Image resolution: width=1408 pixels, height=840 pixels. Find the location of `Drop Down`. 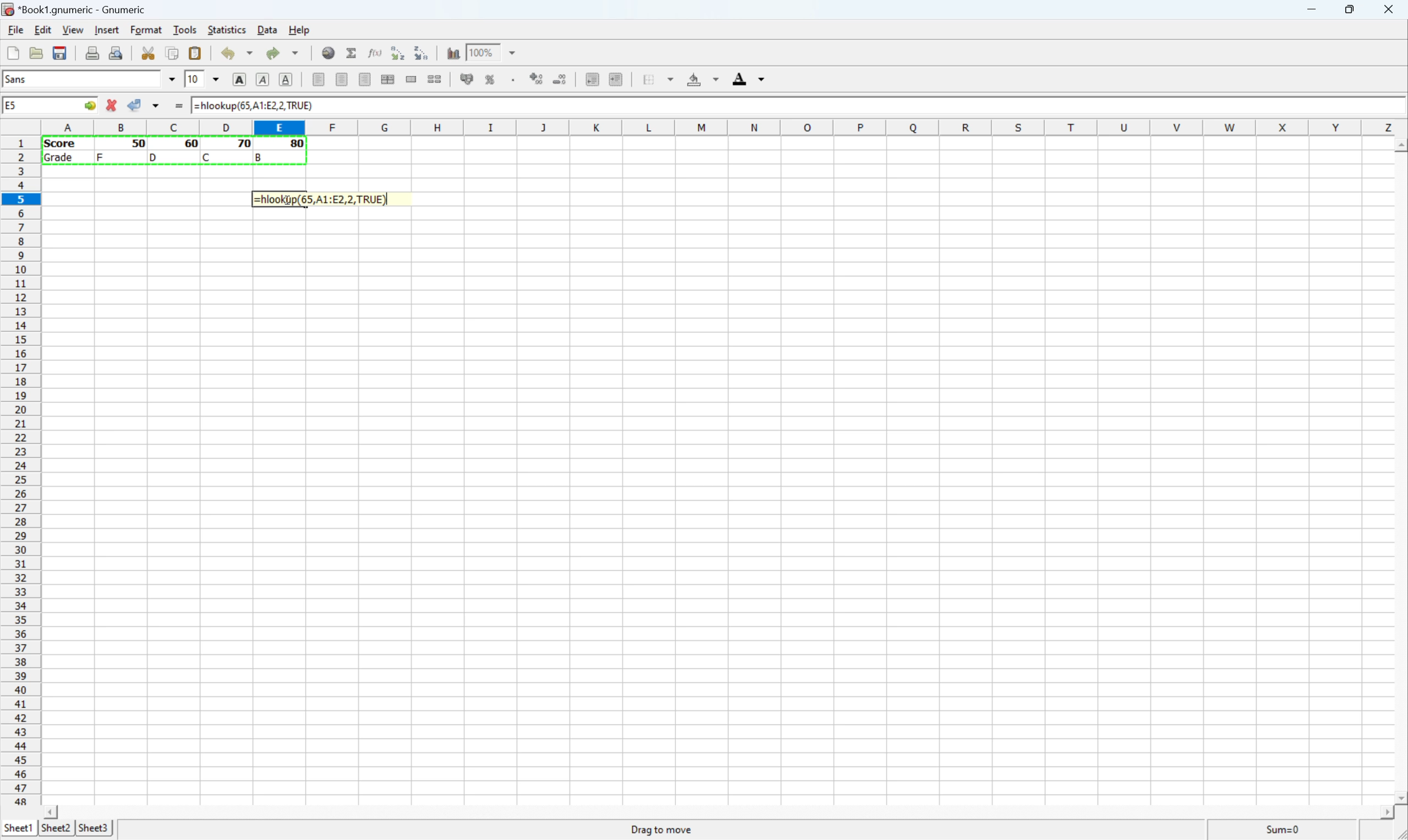

Drop Down is located at coordinates (211, 78).